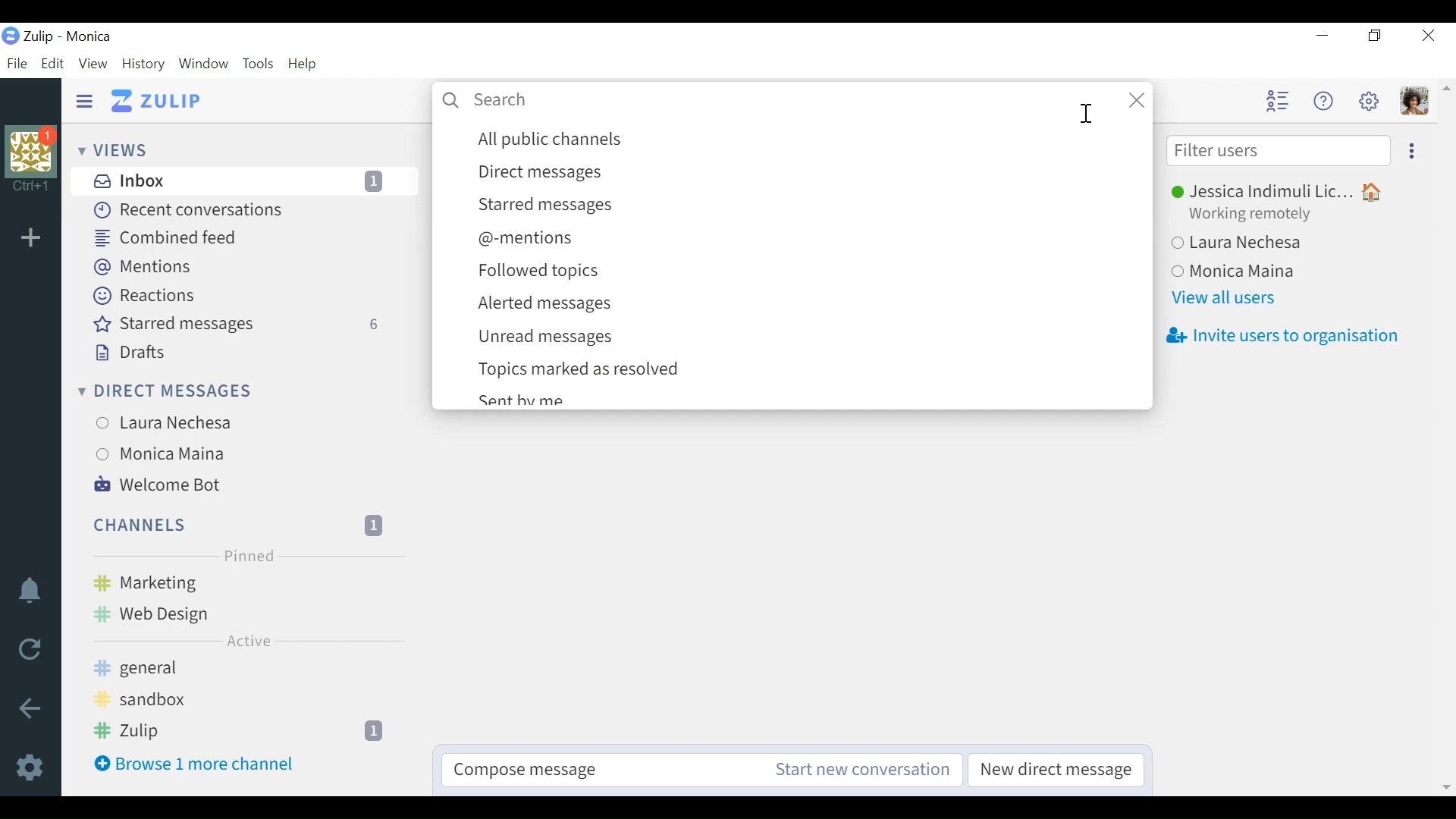 The width and height of the screenshot is (1456, 819). What do you see at coordinates (1446, 441) in the screenshot?
I see `vertical scrollbar` at bounding box center [1446, 441].